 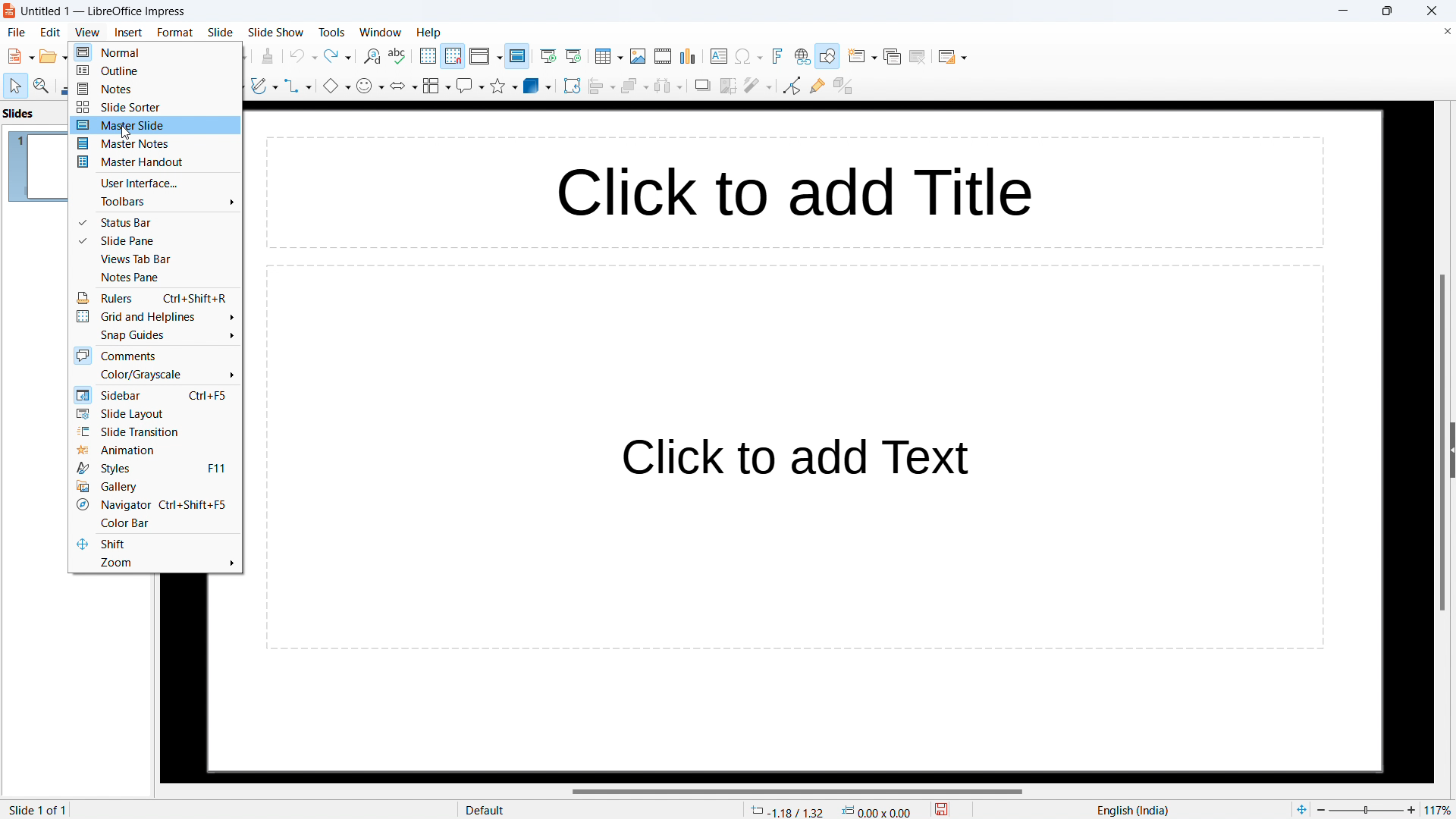 What do you see at coordinates (485, 56) in the screenshot?
I see `display views` at bounding box center [485, 56].